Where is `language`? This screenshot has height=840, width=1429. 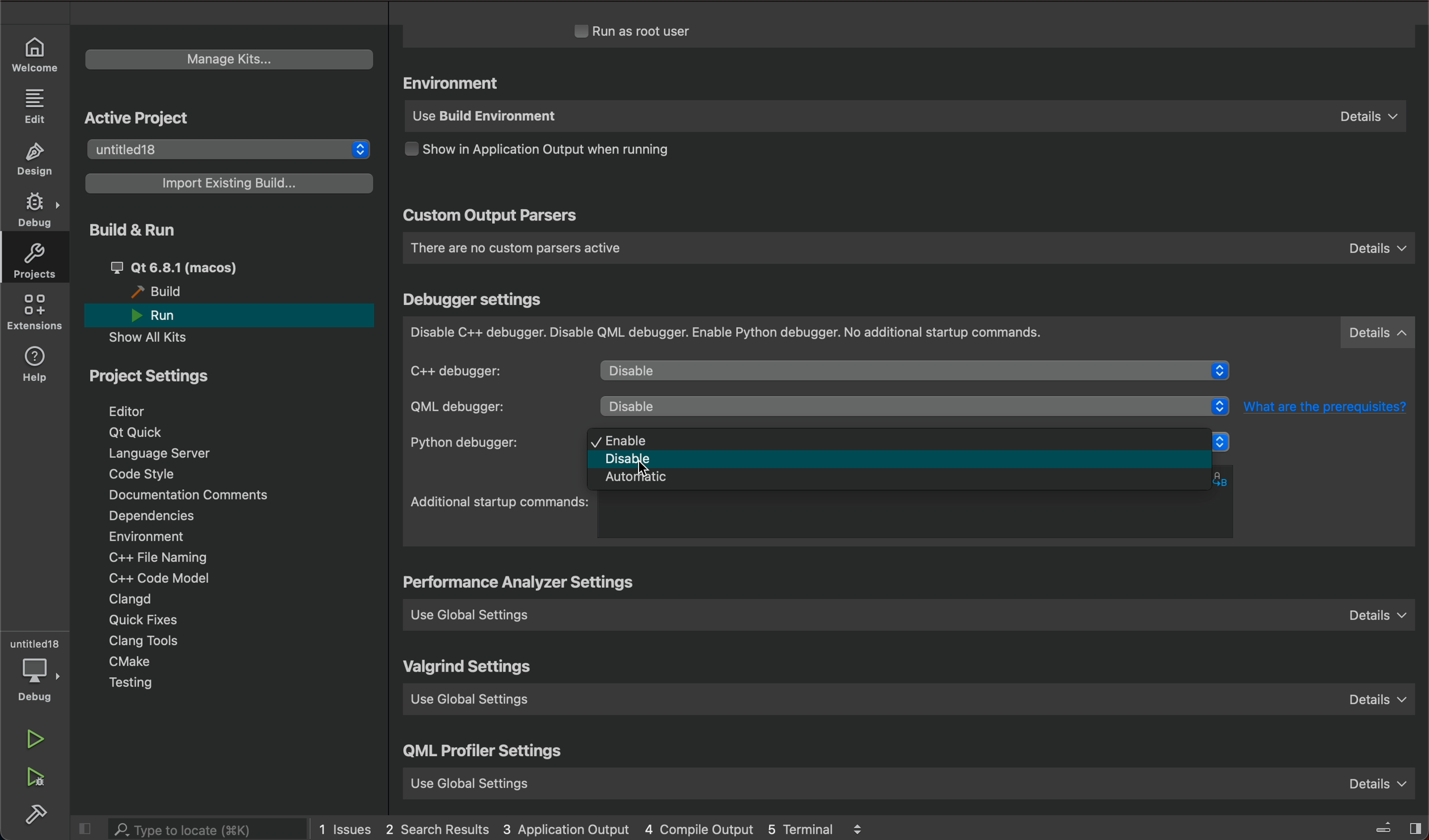
language is located at coordinates (169, 453).